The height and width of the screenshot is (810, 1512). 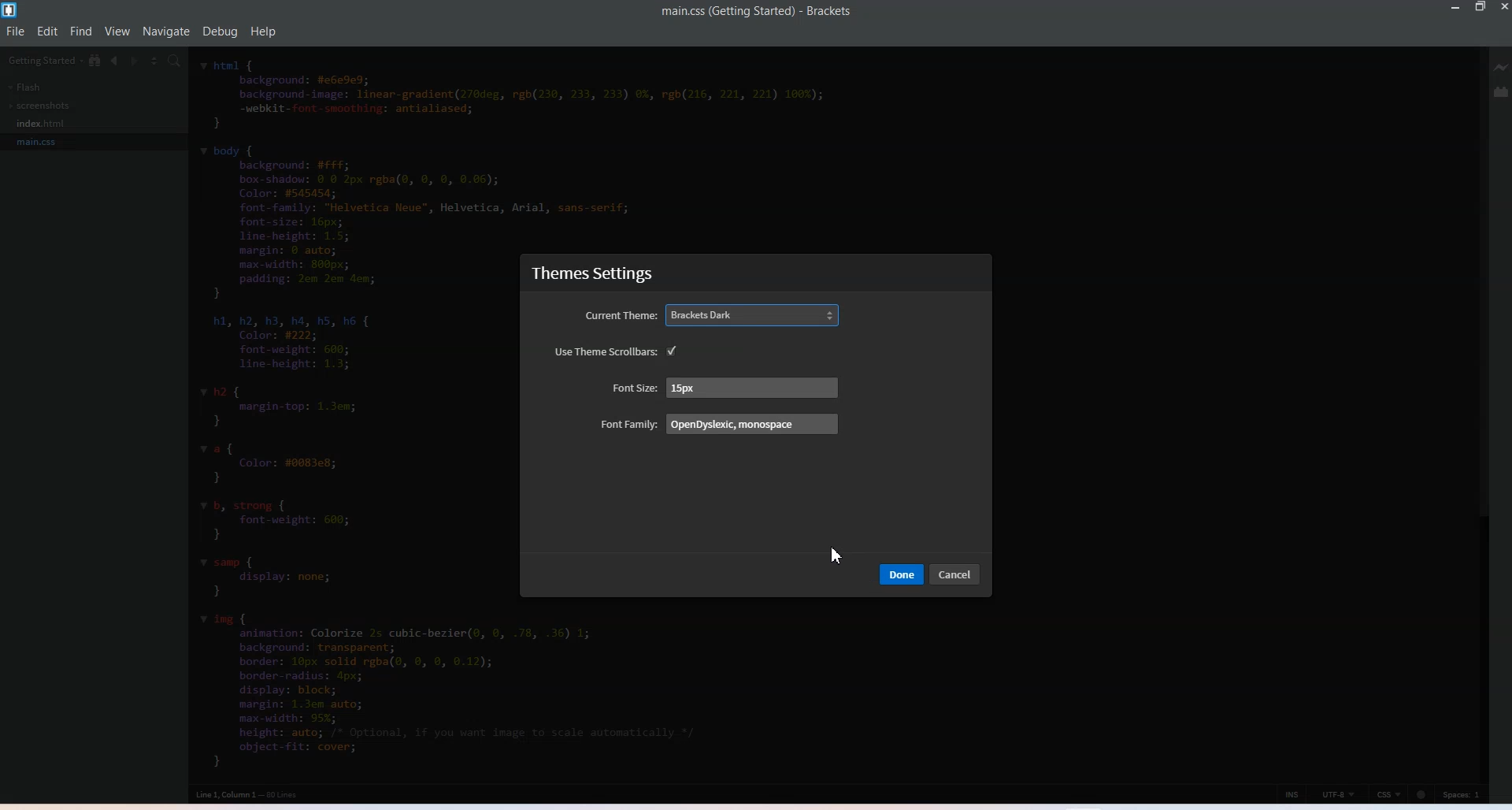 What do you see at coordinates (1291, 794) in the screenshot?
I see `click to toggle cursor` at bounding box center [1291, 794].